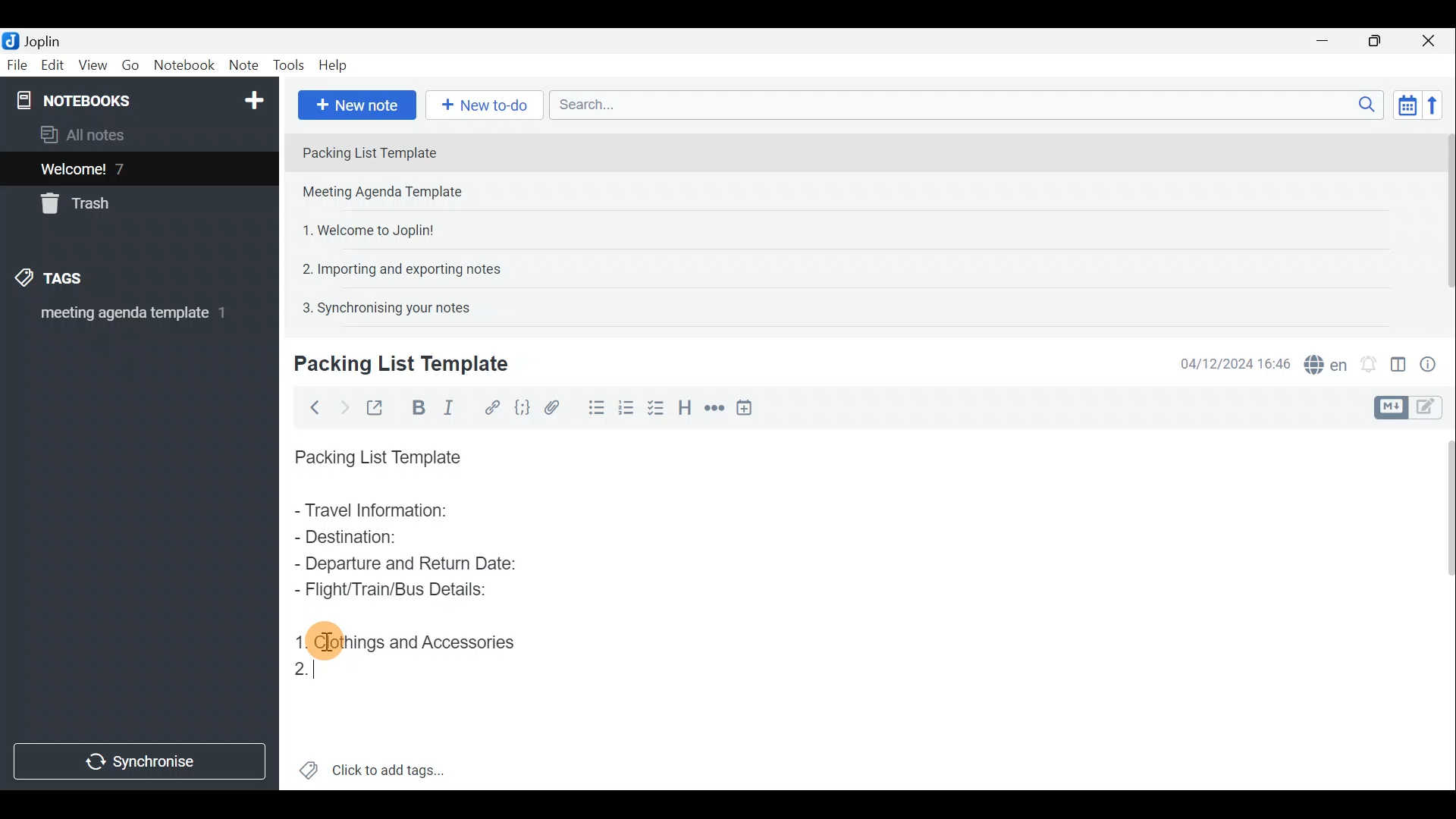 The width and height of the screenshot is (1456, 819). Describe the element at coordinates (413, 640) in the screenshot. I see `Clothings and Accessories` at that location.